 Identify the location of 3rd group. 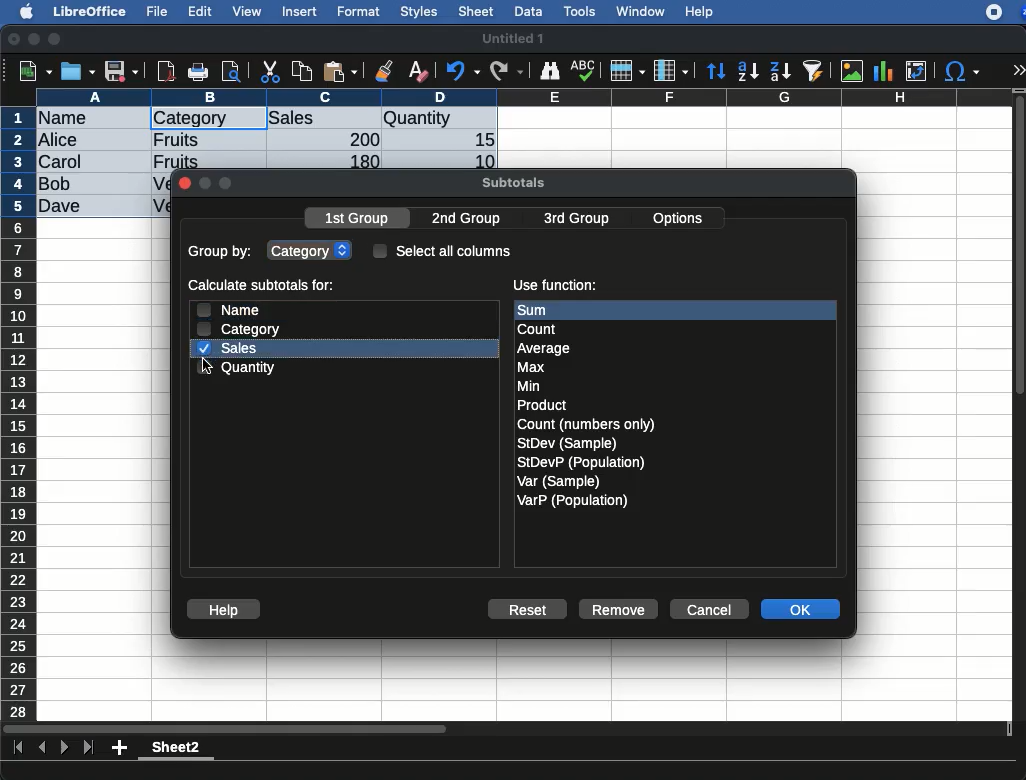
(576, 220).